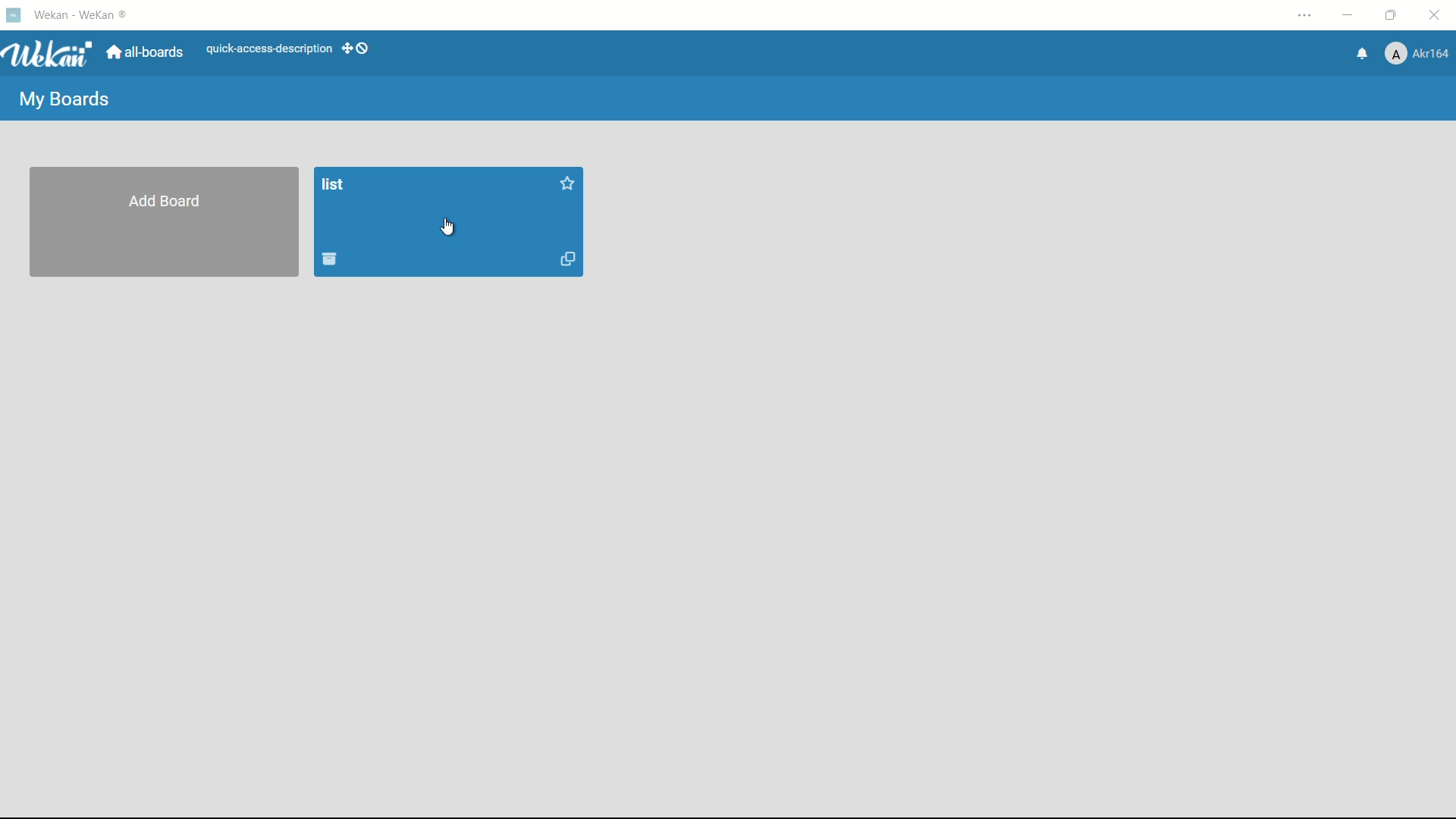  What do you see at coordinates (567, 259) in the screenshot?
I see `duplicate board` at bounding box center [567, 259].